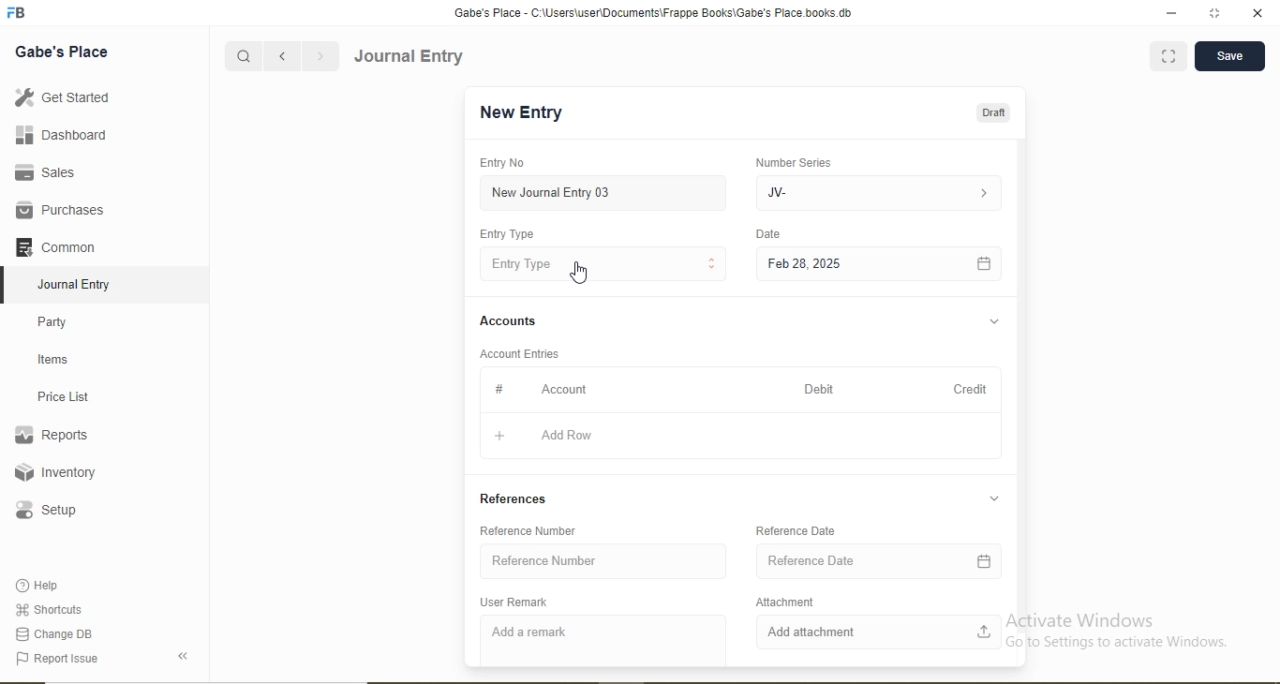 This screenshot has height=684, width=1280. What do you see at coordinates (59, 210) in the screenshot?
I see `Purchases` at bounding box center [59, 210].